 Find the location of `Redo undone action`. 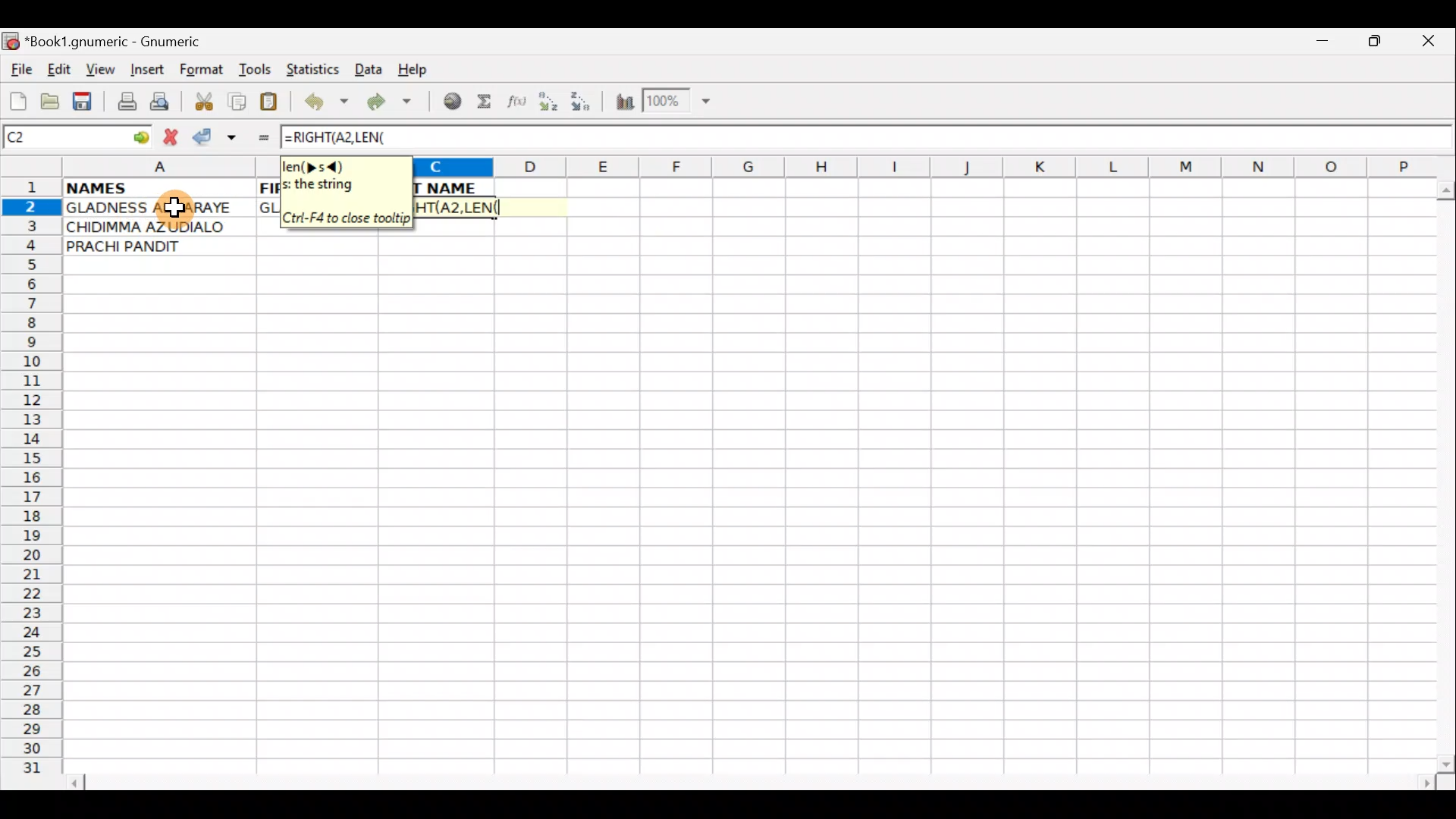

Redo undone action is located at coordinates (393, 104).